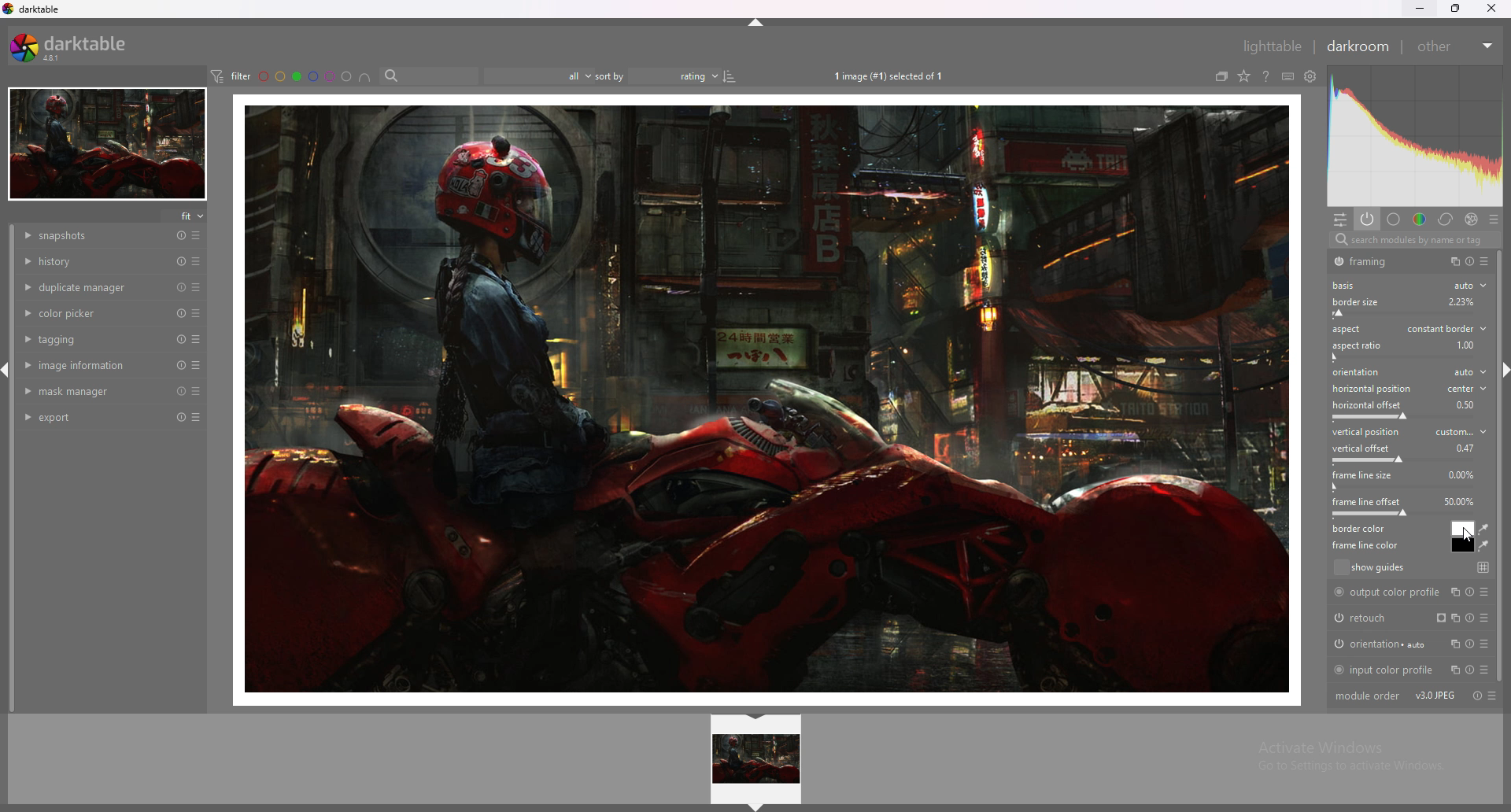 The height and width of the screenshot is (812, 1511). Describe the element at coordinates (197, 365) in the screenshot. I see `presets` at that location.